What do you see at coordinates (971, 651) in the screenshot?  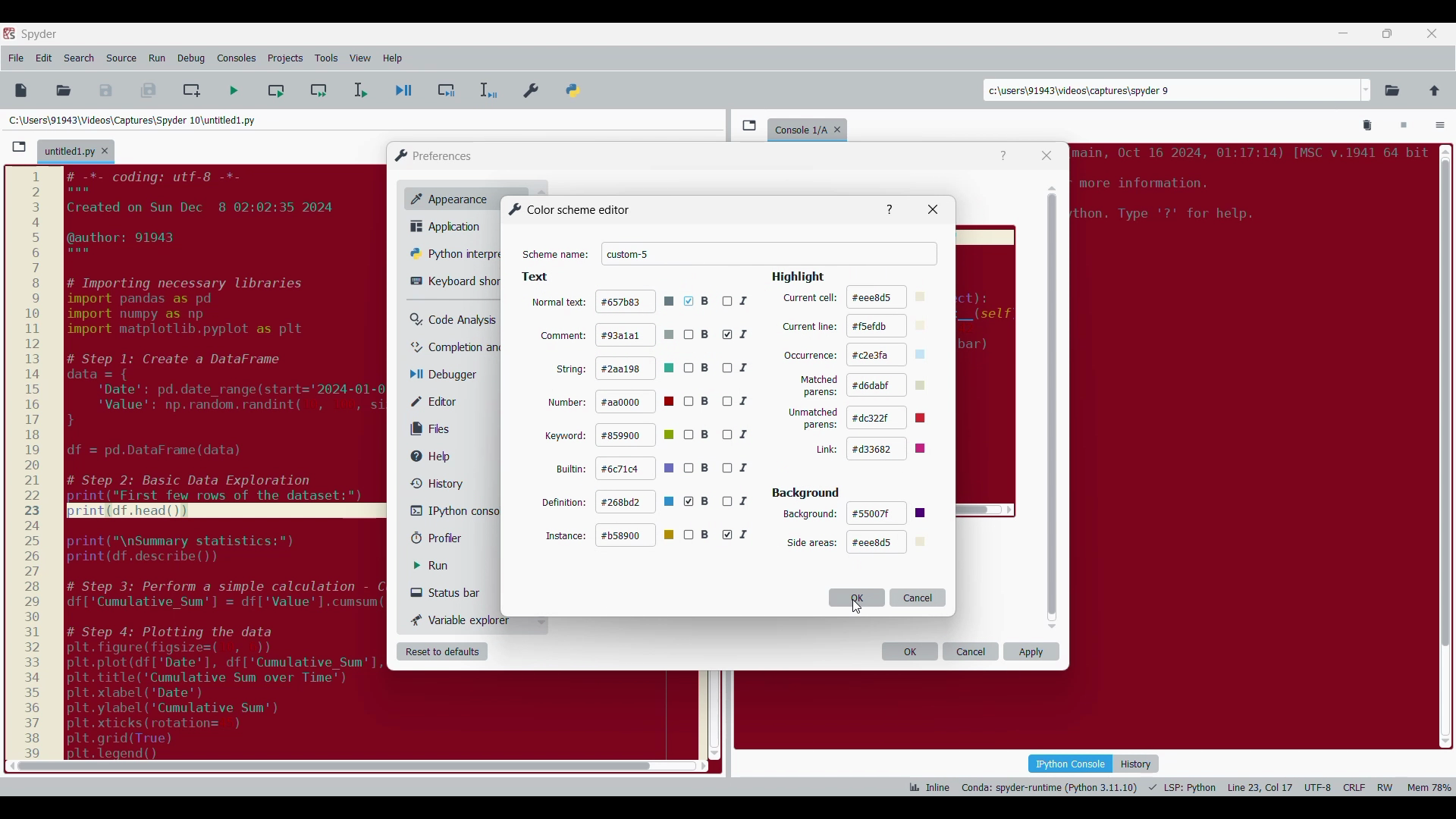 I see `Cancel` at bounding box center [971, 651].